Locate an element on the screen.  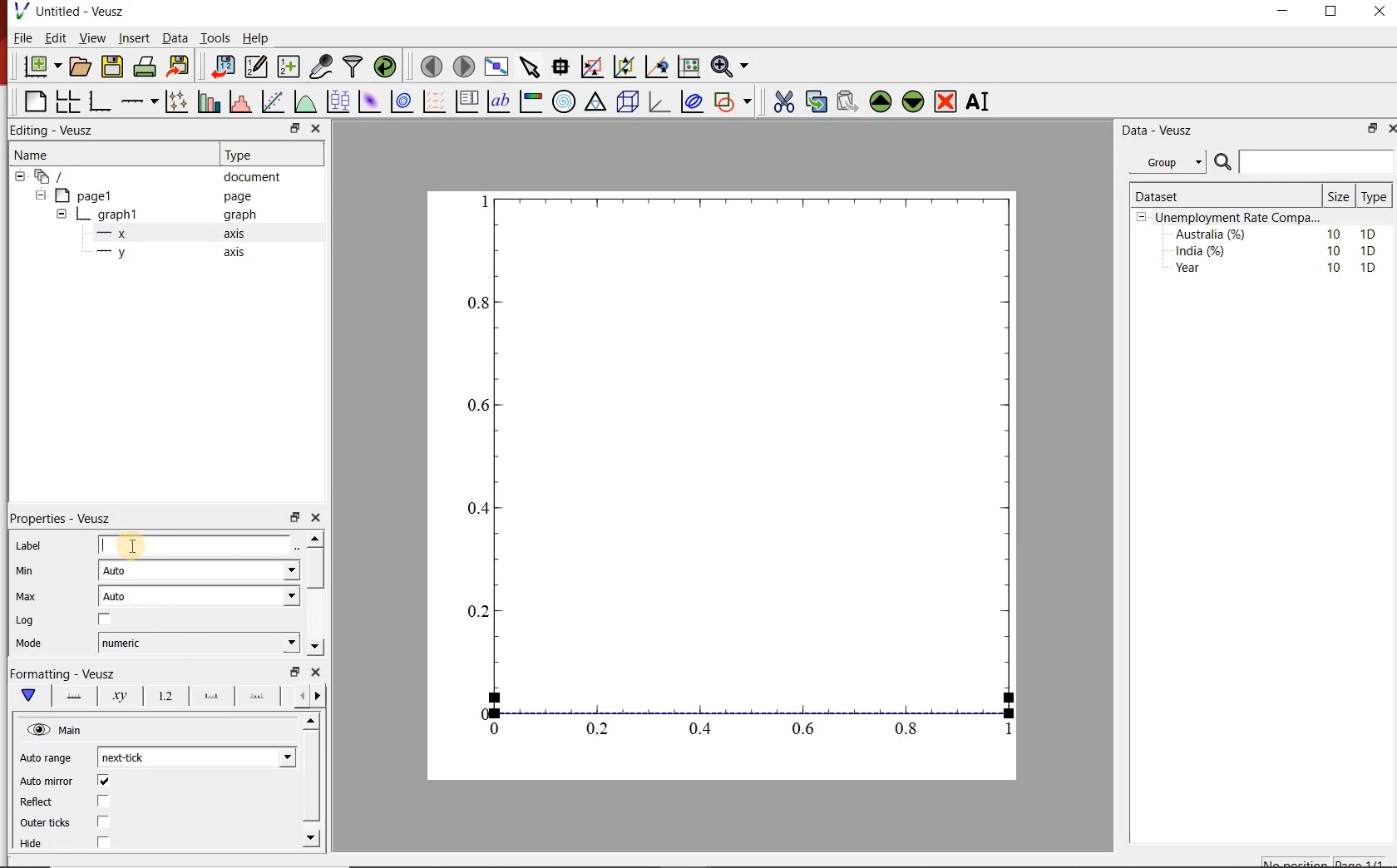
copy the widgets is located at coordinates (815, 101).